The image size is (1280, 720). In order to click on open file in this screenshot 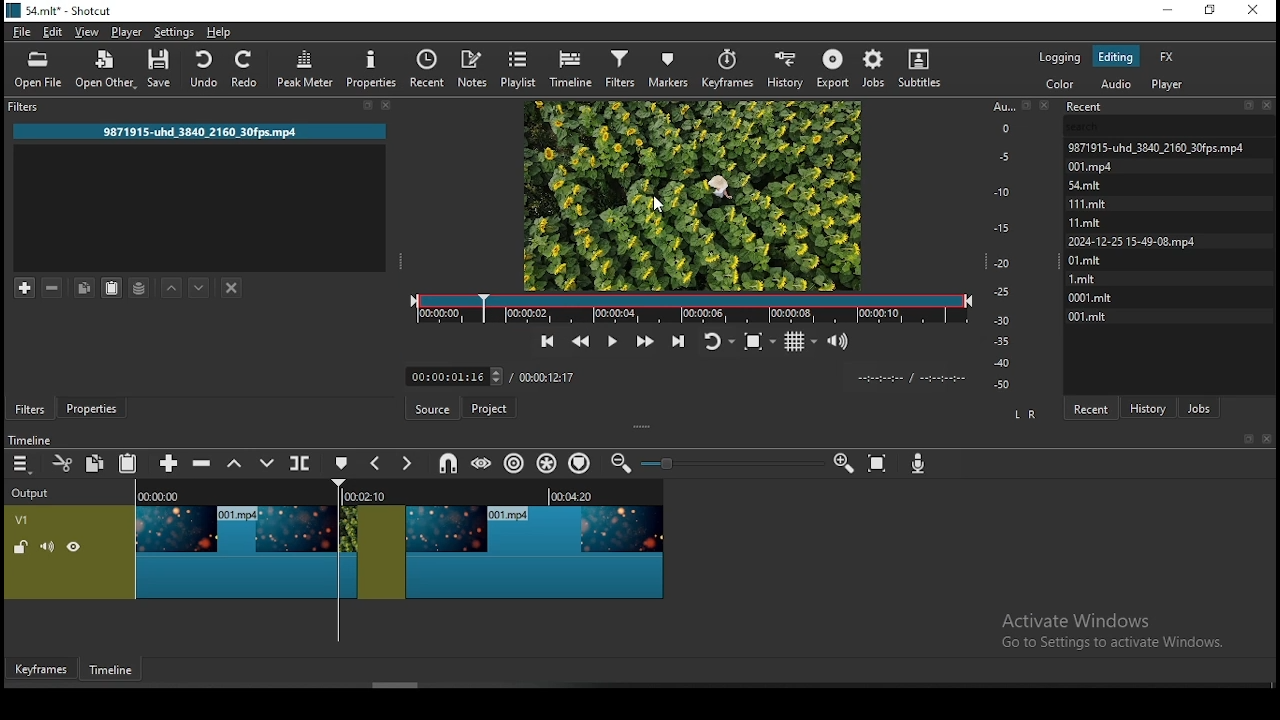, I will do `click(39, 70)`.